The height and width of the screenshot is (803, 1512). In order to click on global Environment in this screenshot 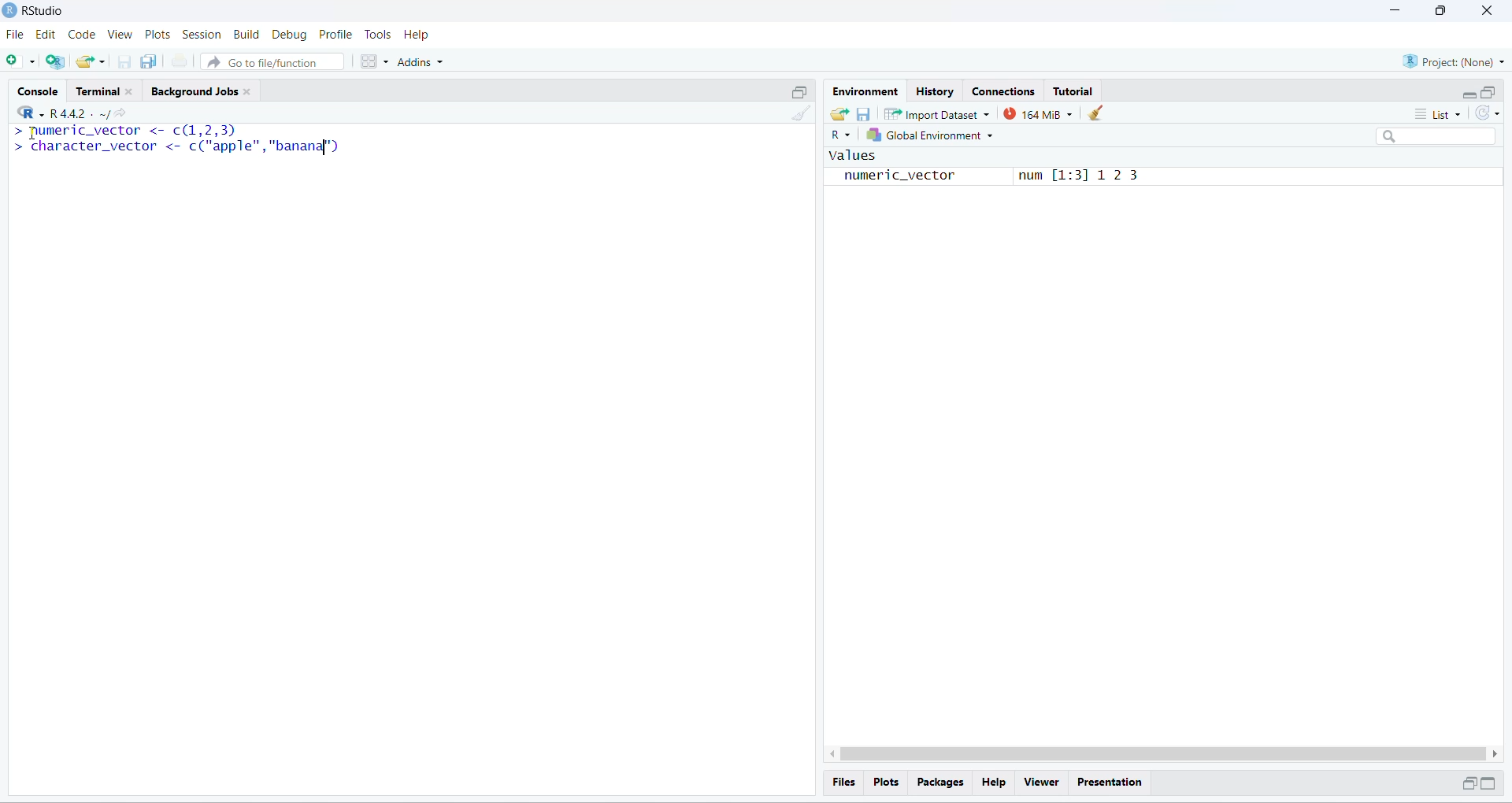, I will do `click(929, 135)`.